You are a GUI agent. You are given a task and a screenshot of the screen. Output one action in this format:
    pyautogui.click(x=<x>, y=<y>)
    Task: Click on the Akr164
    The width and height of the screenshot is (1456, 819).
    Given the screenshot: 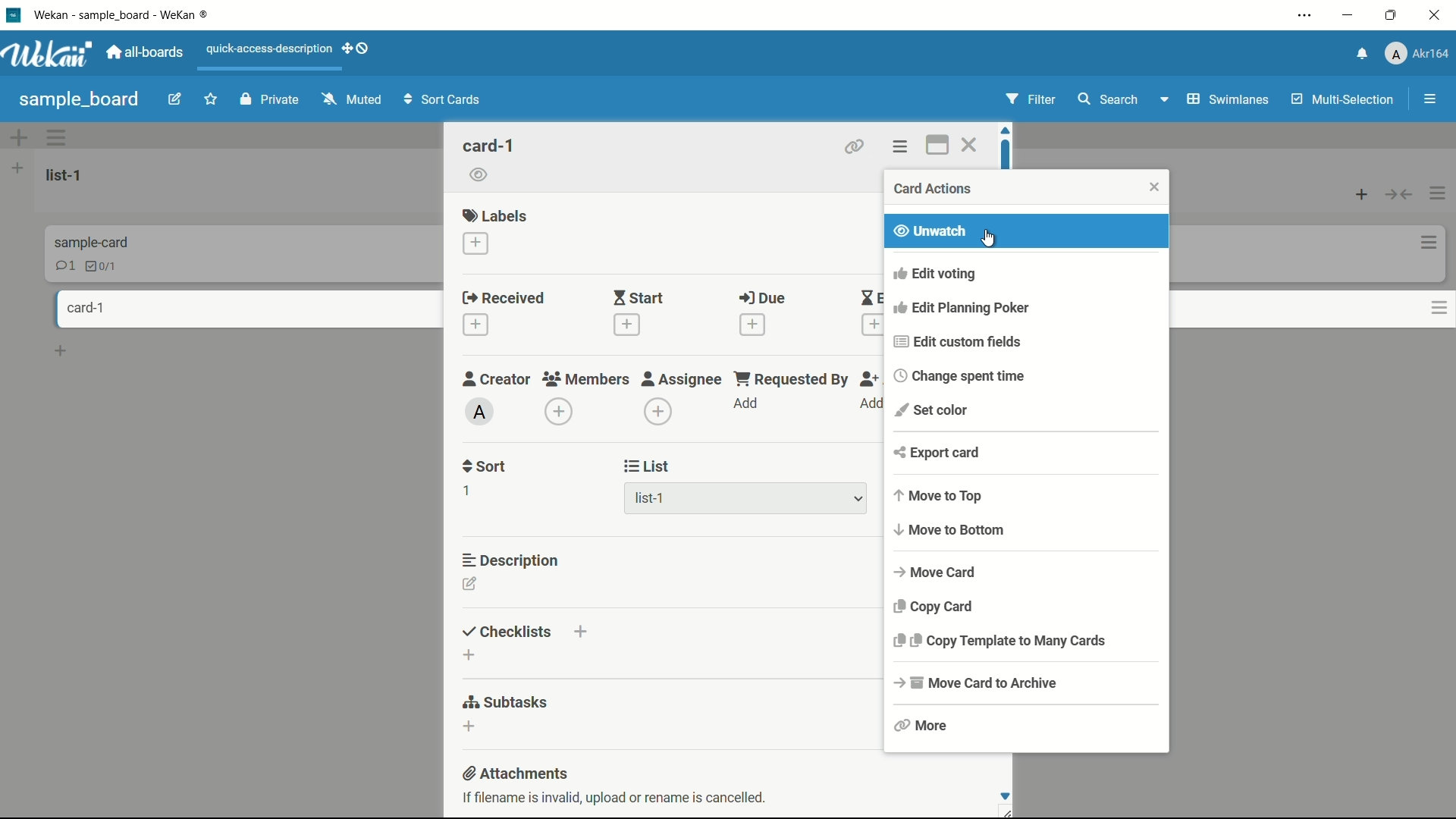 What is the action you would take?
    pyautogui.click(x=1420, y=53)
    